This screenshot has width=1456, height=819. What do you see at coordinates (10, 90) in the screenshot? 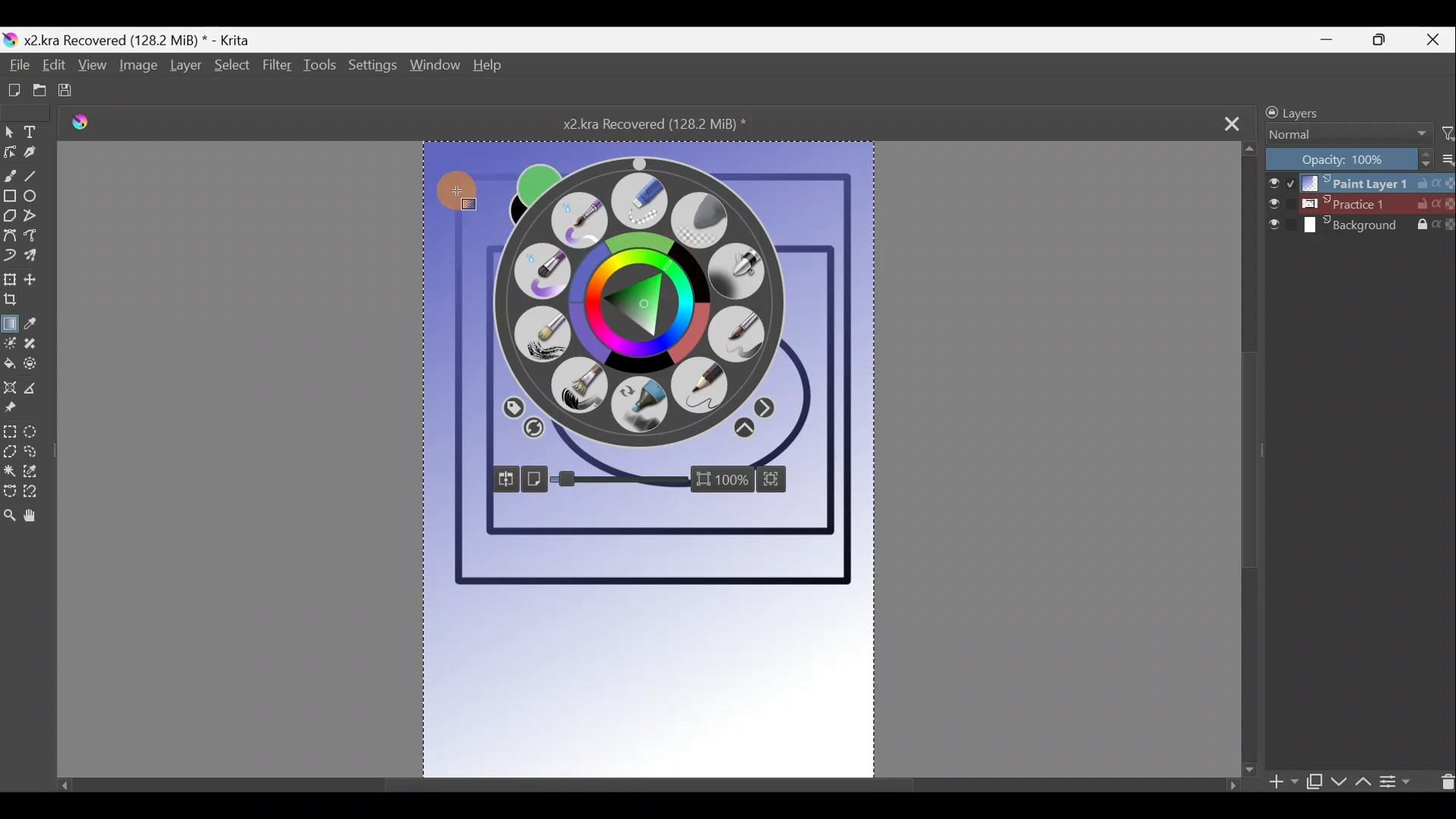
I see `Create new document` at bounding box center [10, 90].